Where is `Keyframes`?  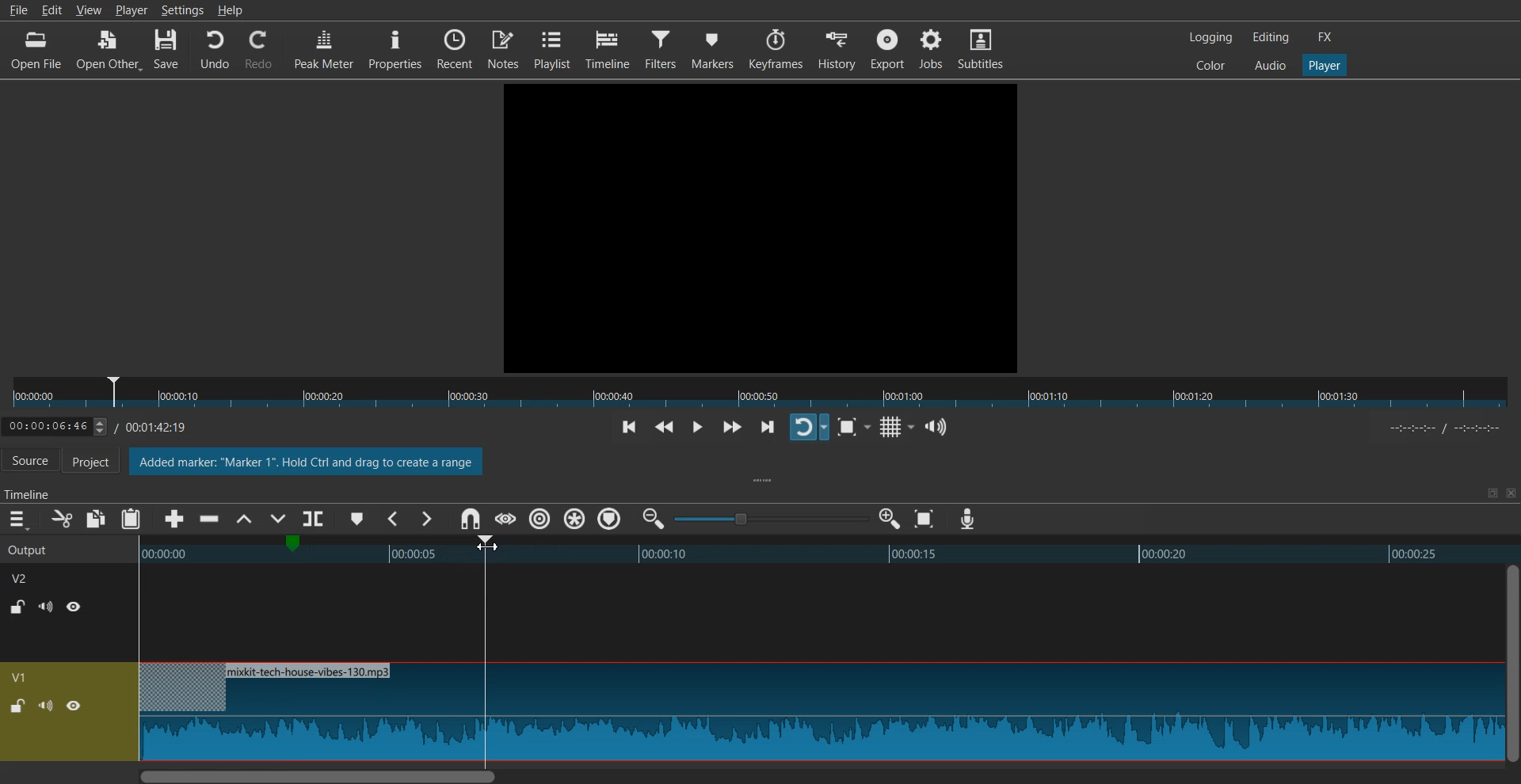 Keyframes is located at coordinates (776, 49).